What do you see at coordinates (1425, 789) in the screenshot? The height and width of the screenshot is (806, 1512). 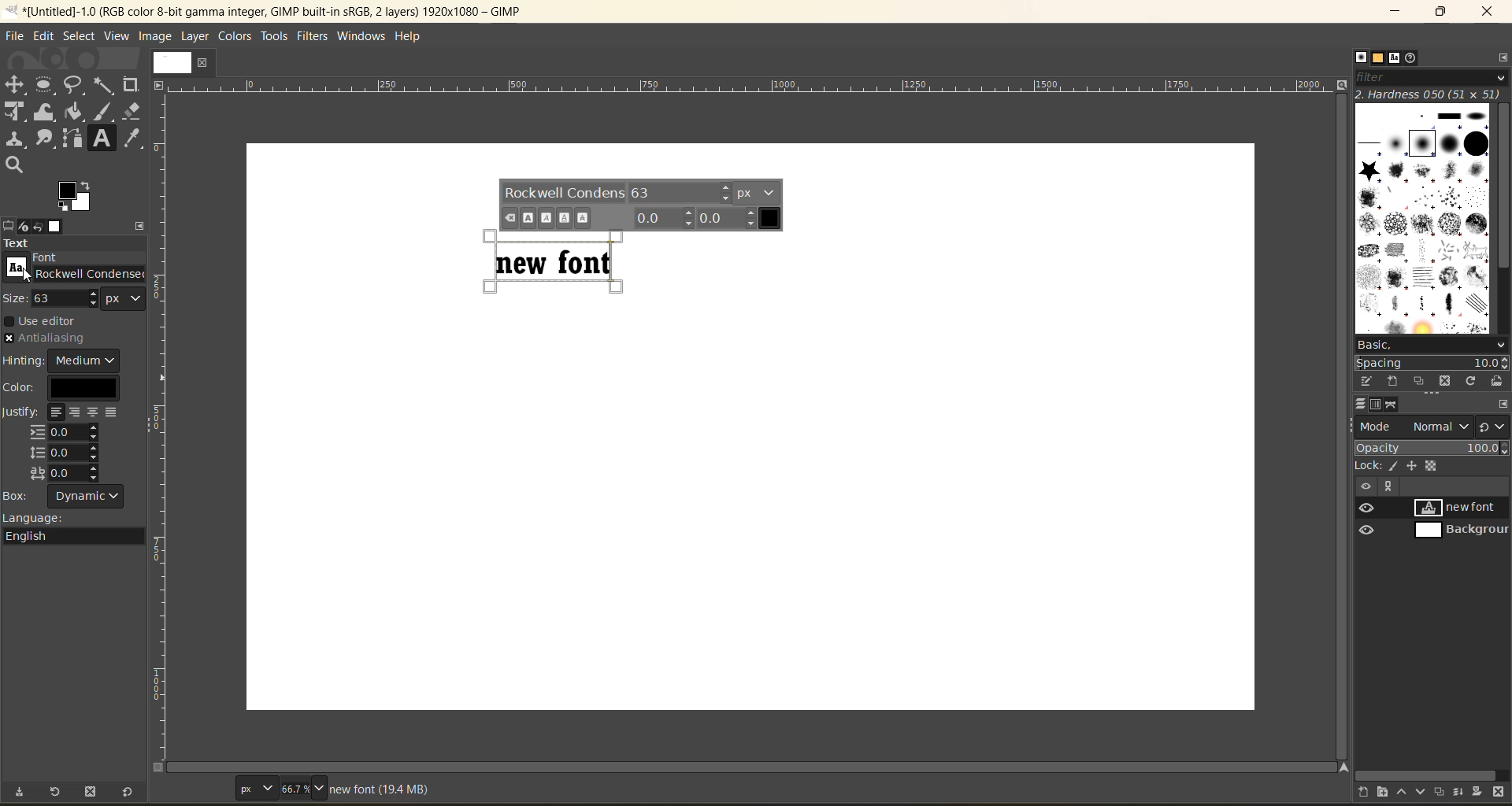 I see `lower this layer` at bounding box center [1425, 789].